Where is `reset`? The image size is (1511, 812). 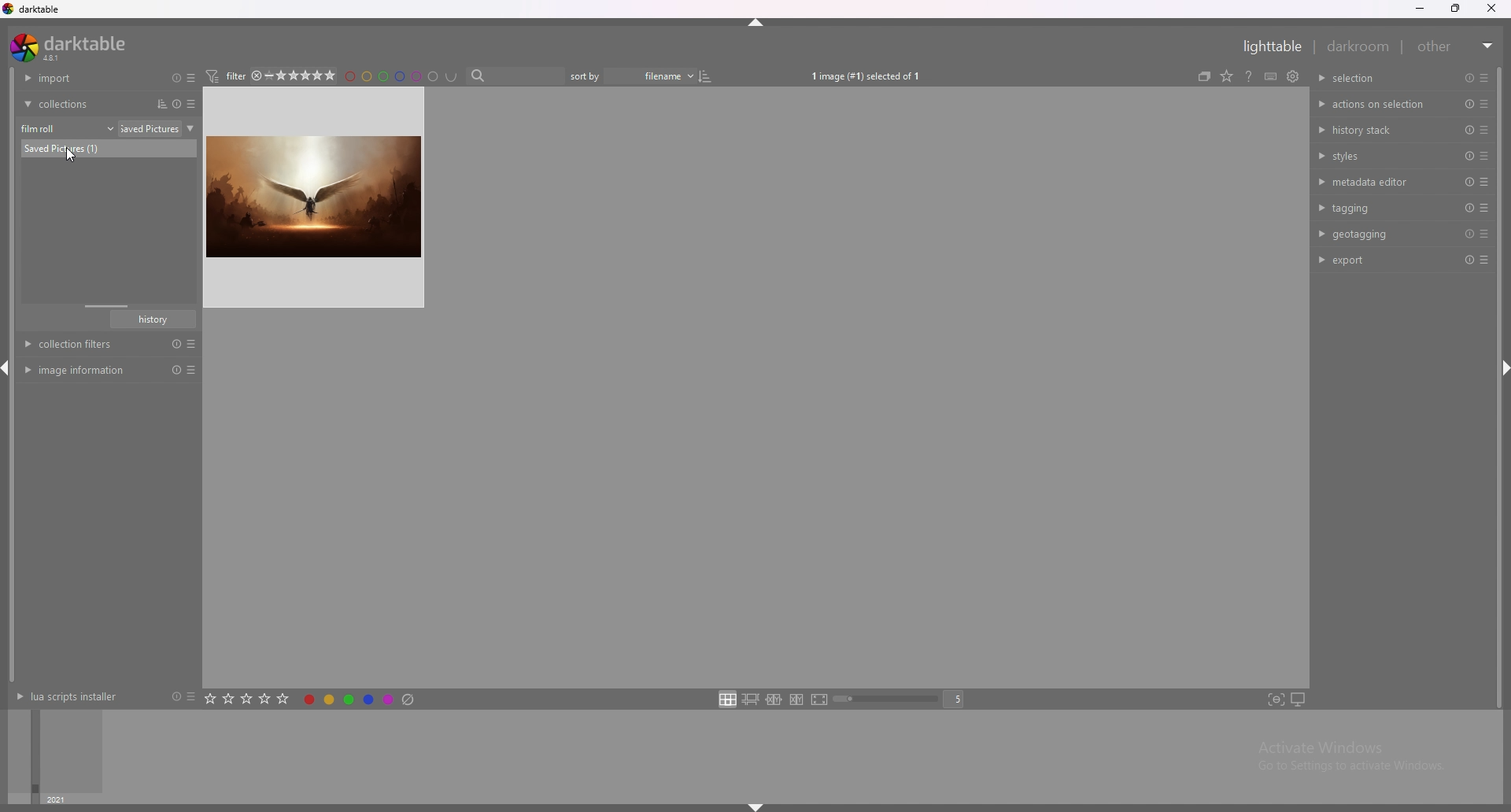 reset is located at coordinates (1469, 78).